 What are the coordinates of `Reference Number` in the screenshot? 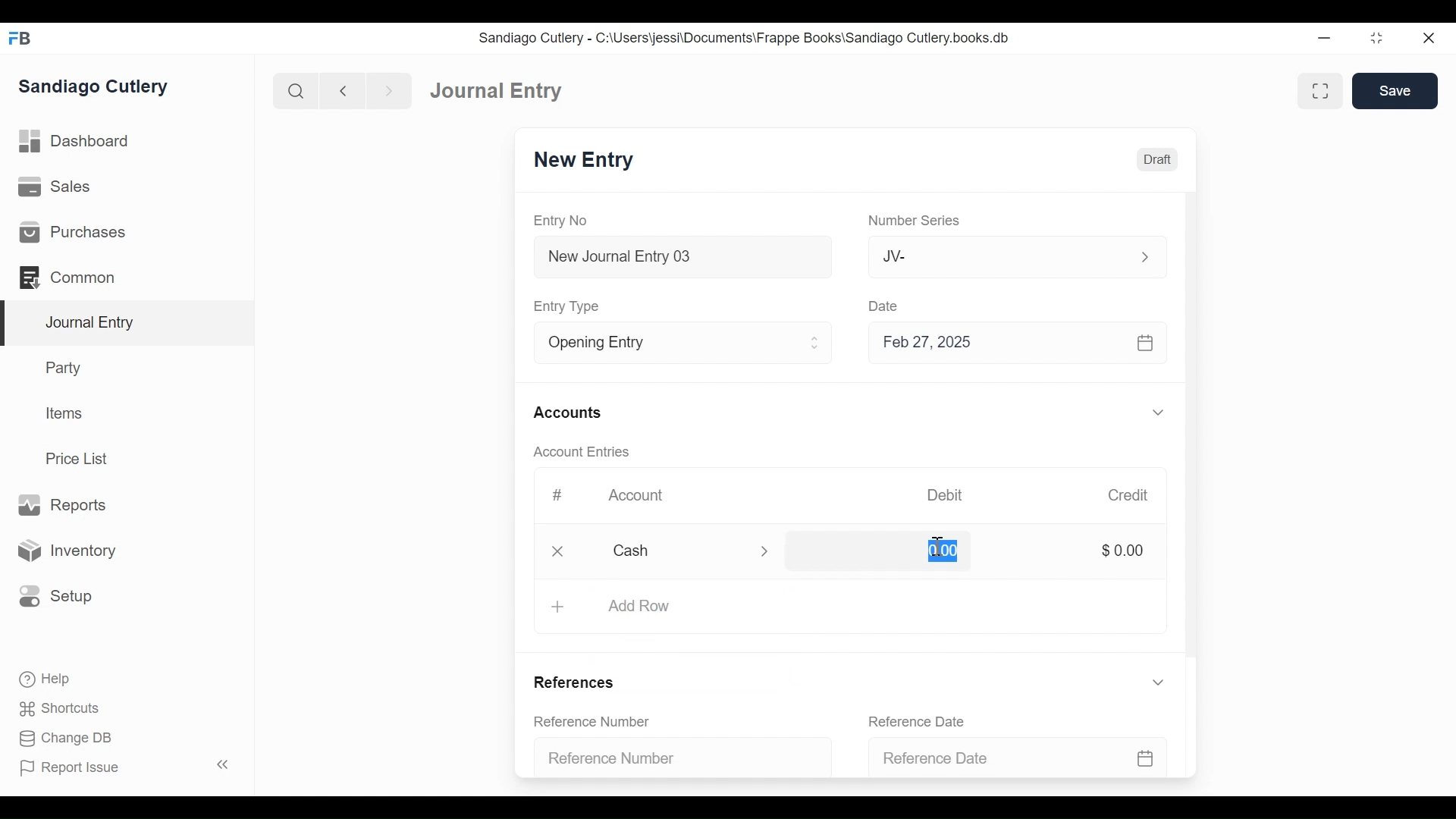 It's located at (592, 723).